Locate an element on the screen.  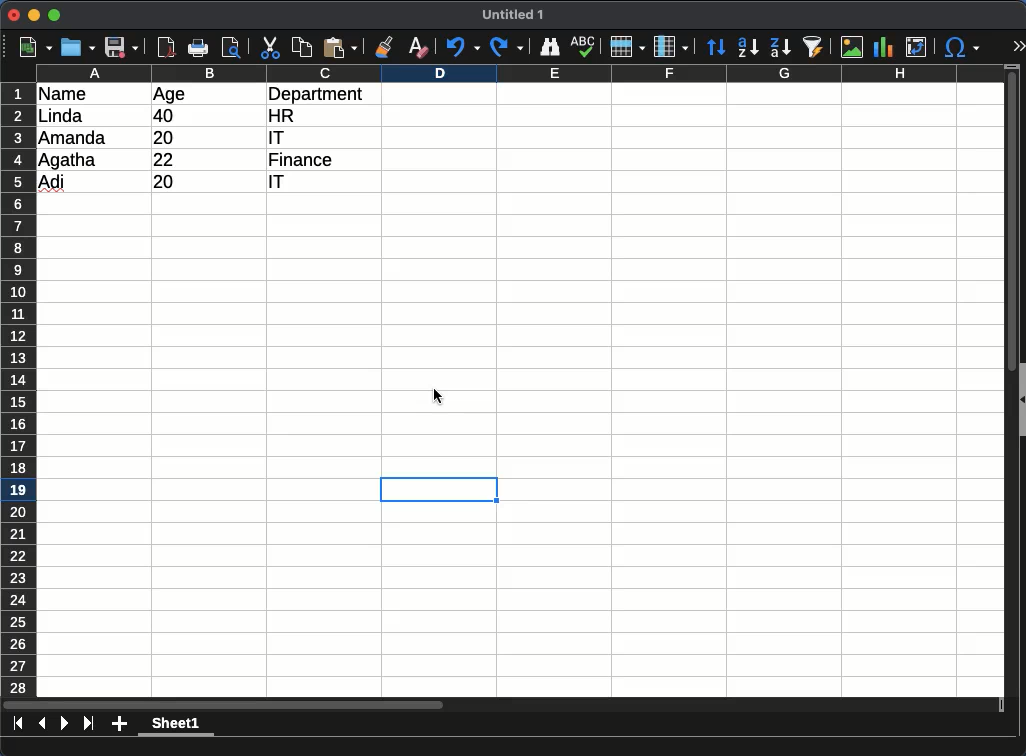
columns is located at coordinates (671, 45).